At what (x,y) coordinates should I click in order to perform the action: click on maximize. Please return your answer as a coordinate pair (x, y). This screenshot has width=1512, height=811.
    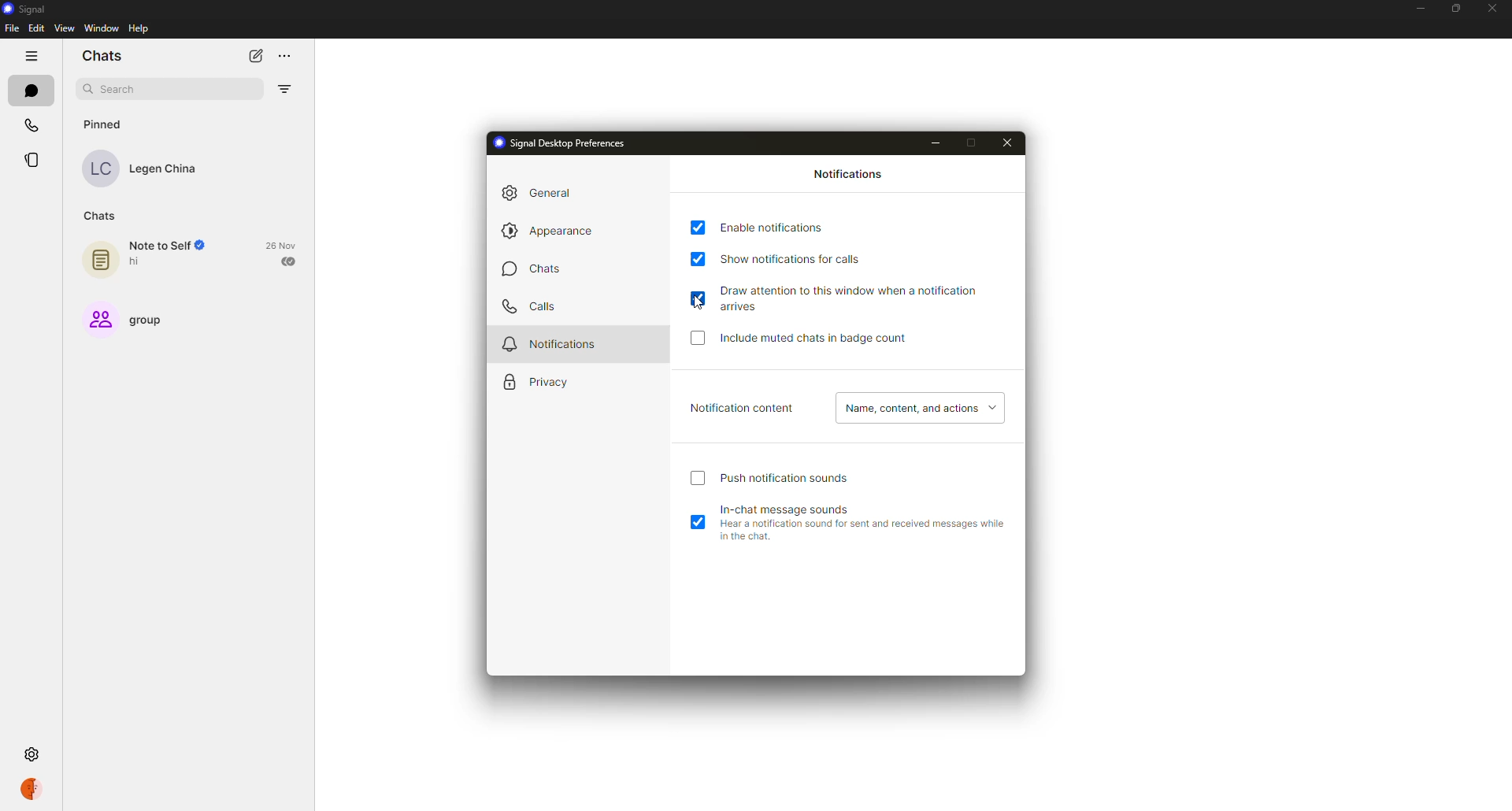
    Looking at the image, I should click on (1451, 9).